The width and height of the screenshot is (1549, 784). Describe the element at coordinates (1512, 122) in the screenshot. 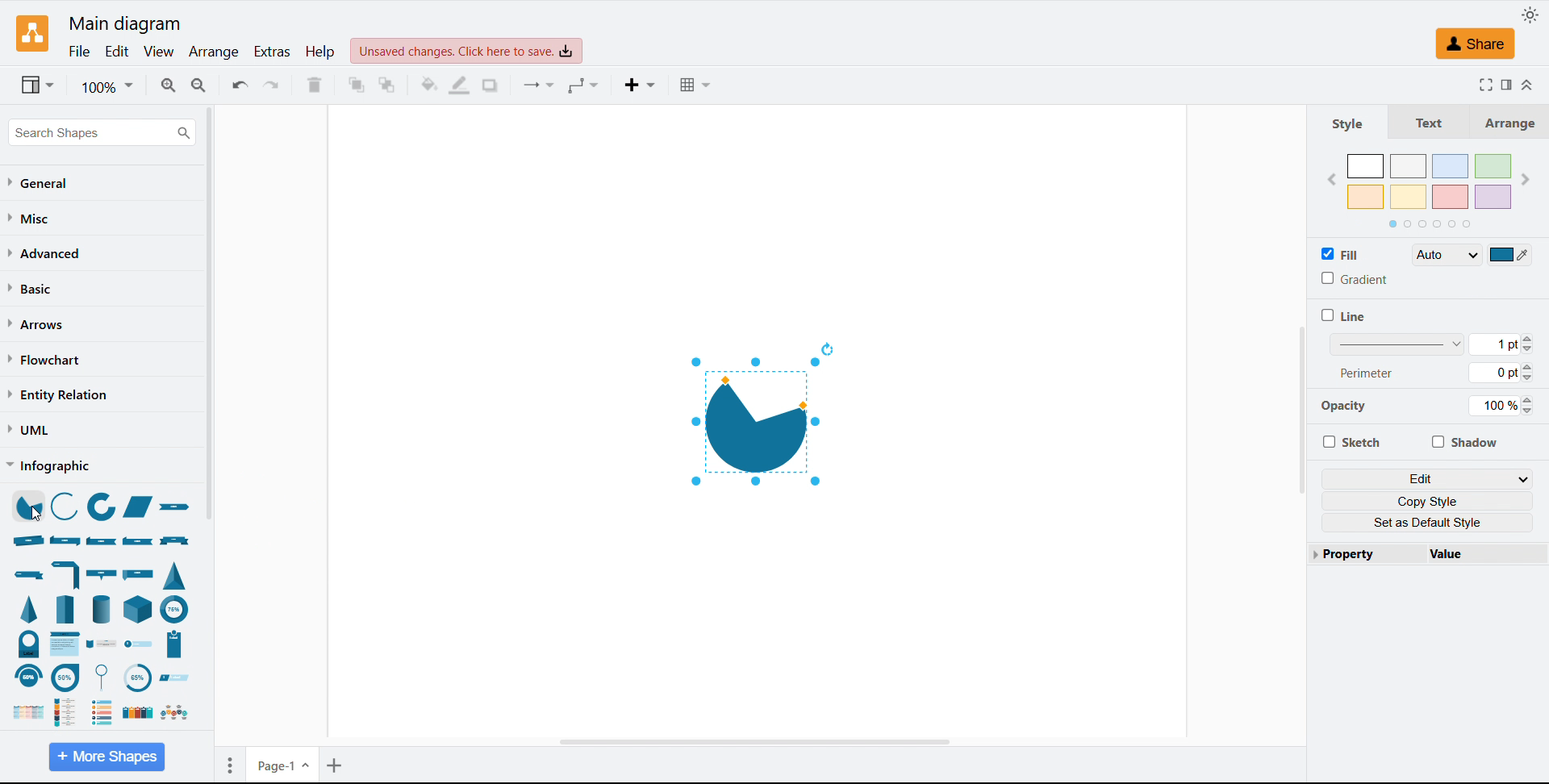

I see `arrange ` at that location.